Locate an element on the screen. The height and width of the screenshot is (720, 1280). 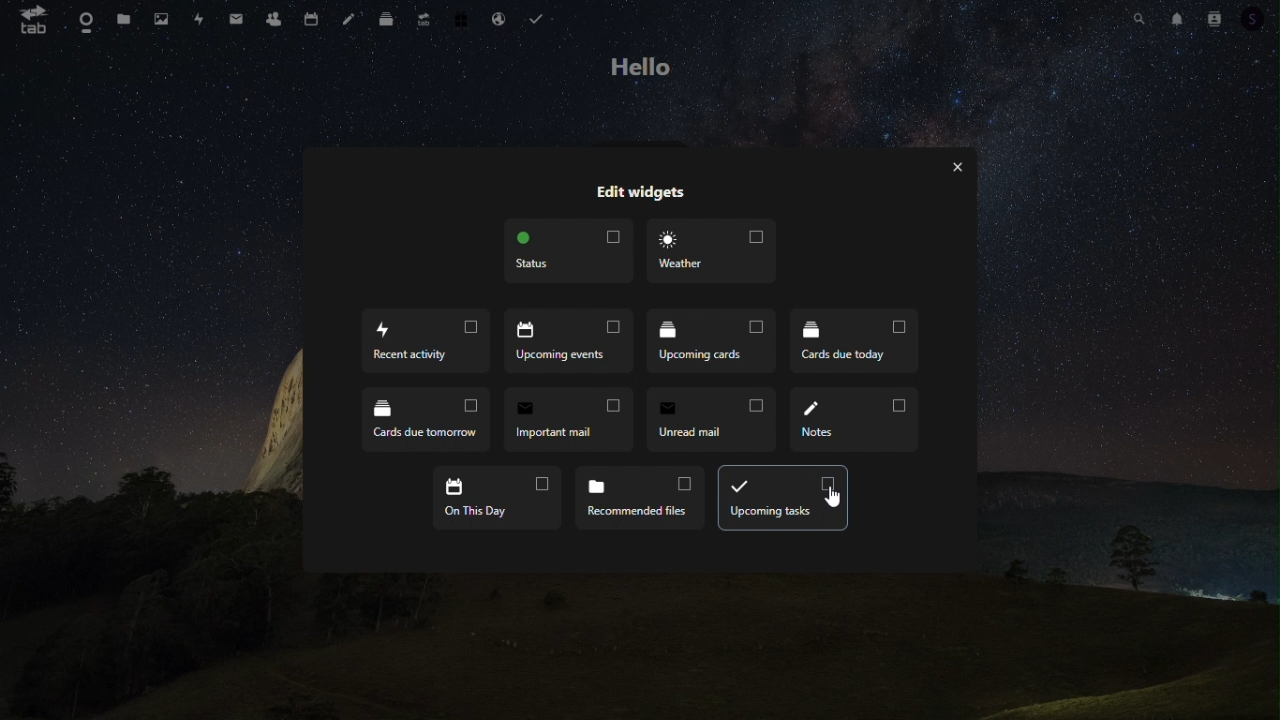
Cursor is located at coordinates (833, 498).